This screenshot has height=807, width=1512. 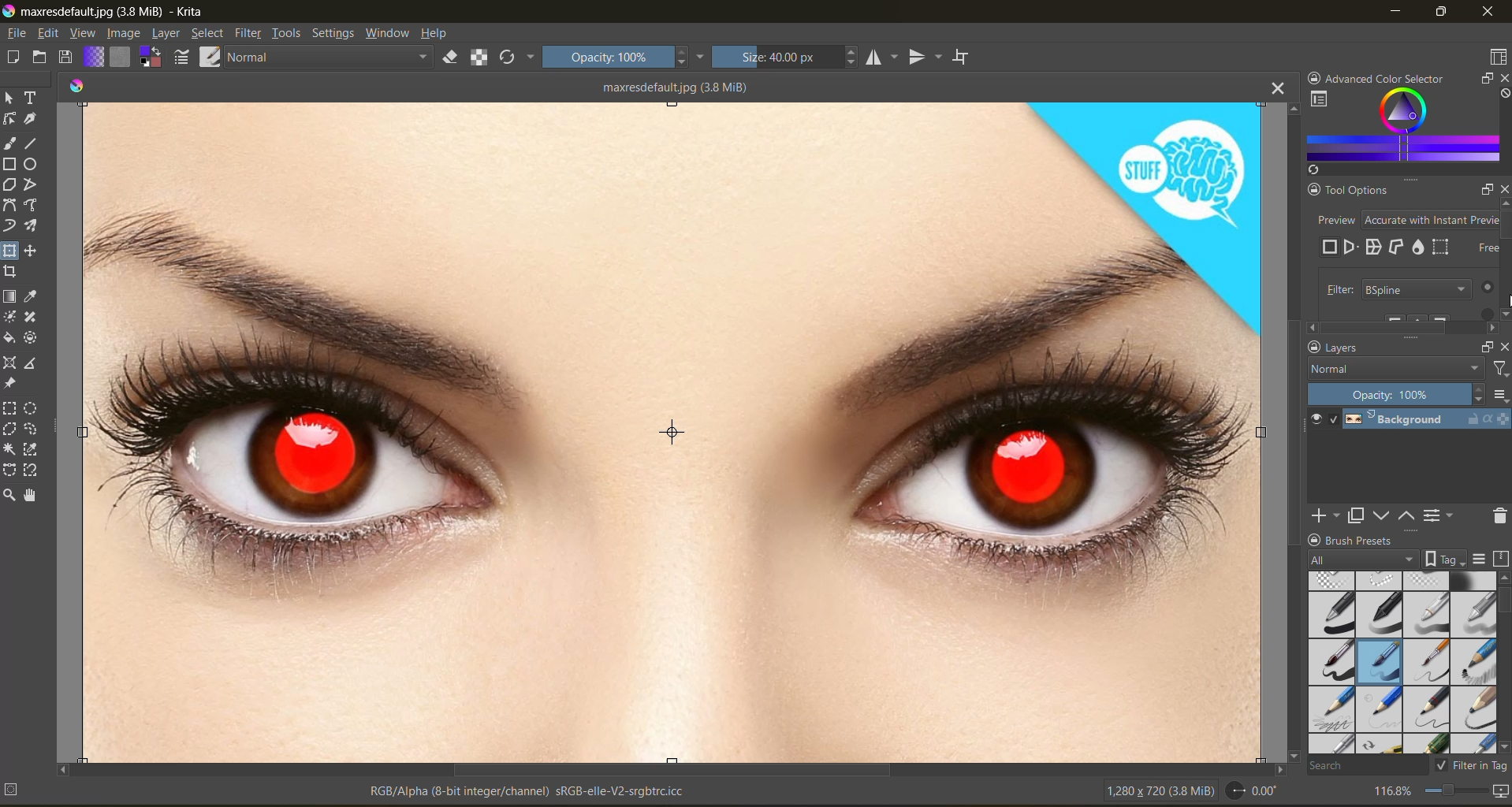 I want to click on filter, so click(x=1410, y=291).